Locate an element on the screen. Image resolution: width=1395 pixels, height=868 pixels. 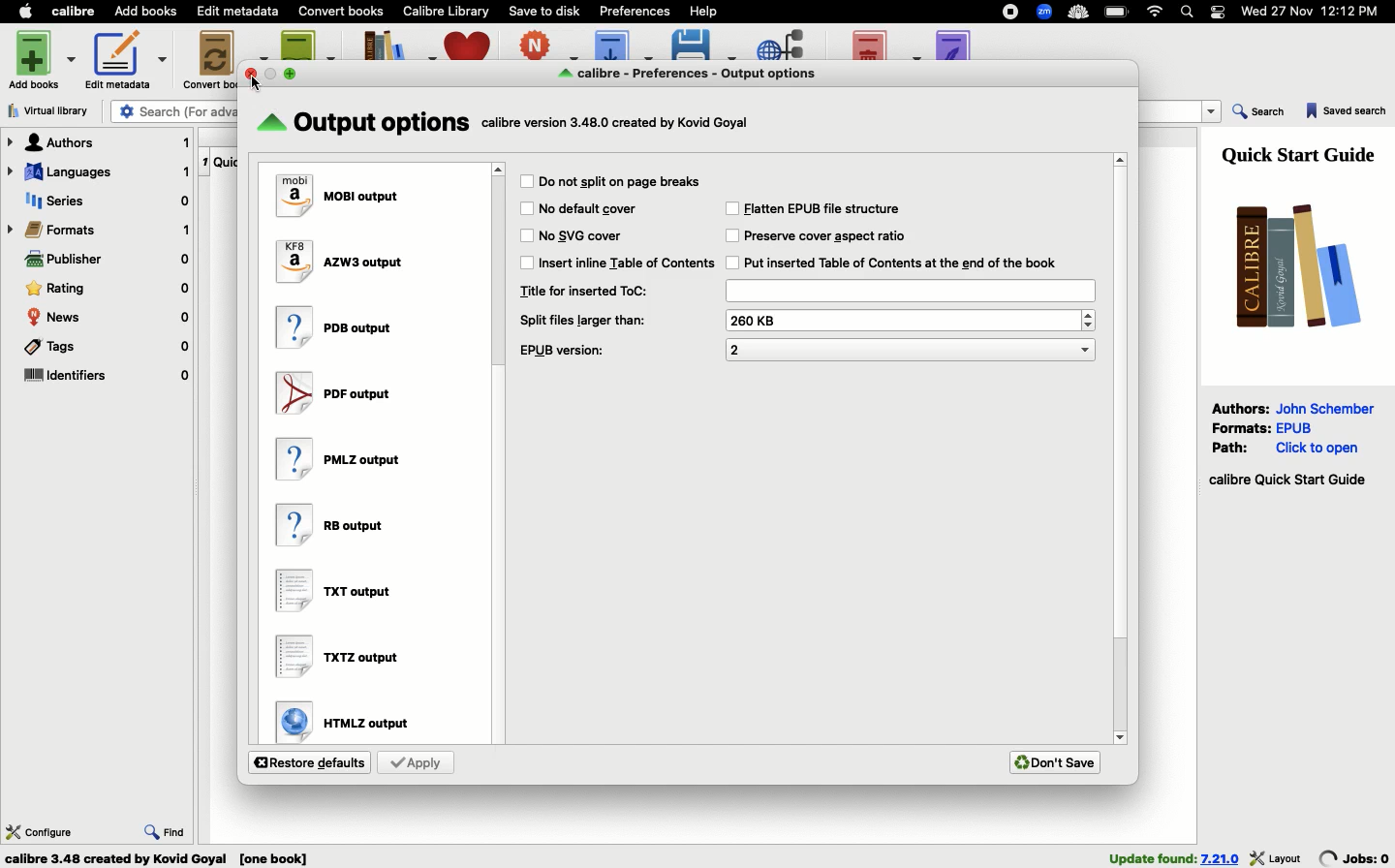
Authors is located at coordinates (1241, 408).